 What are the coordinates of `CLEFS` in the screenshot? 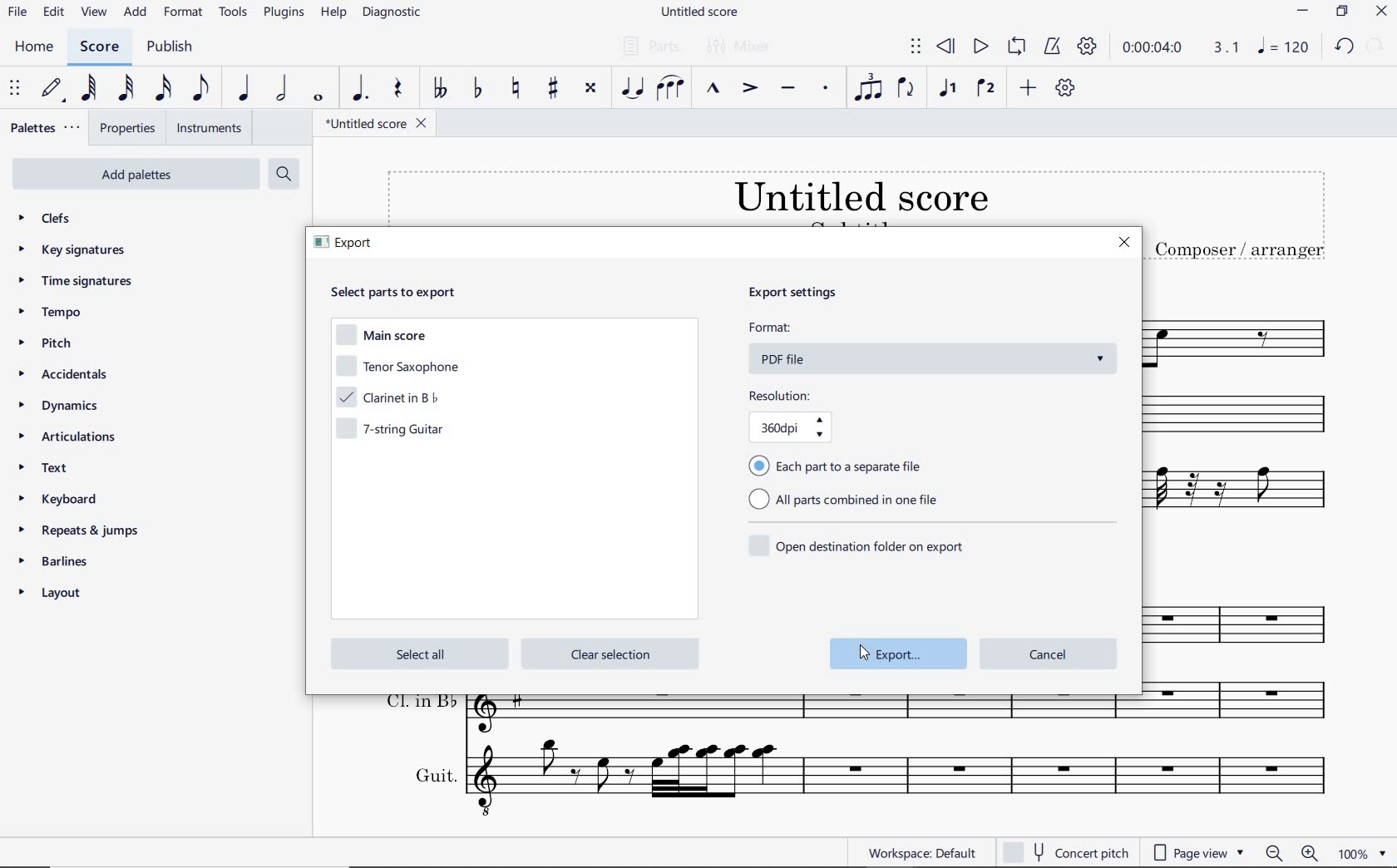 It's located at (47, 218).